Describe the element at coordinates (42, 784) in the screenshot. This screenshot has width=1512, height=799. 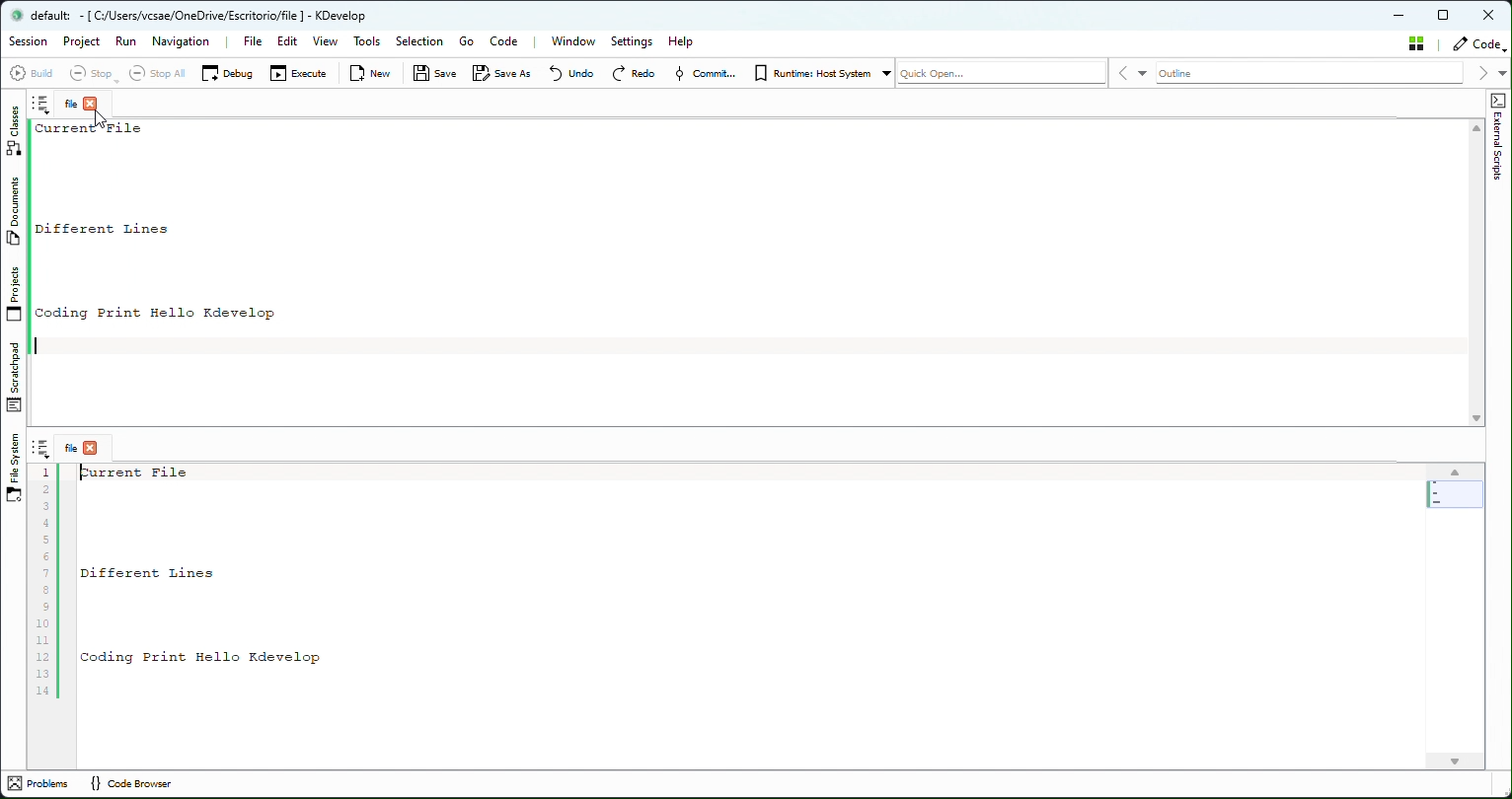
I see `Problem` at that location.